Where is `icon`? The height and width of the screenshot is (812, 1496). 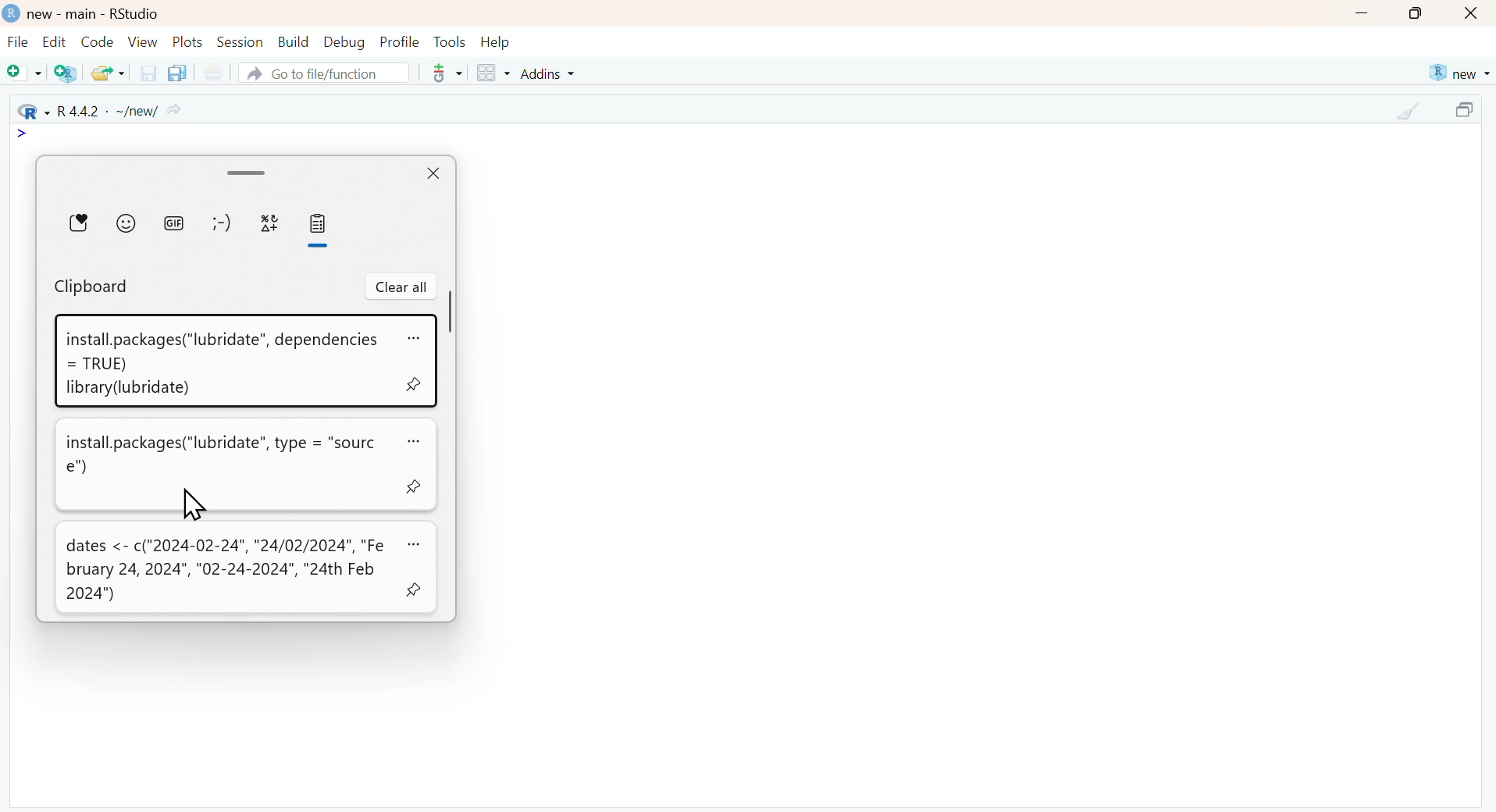
icon is located at coordinates (23, 134).